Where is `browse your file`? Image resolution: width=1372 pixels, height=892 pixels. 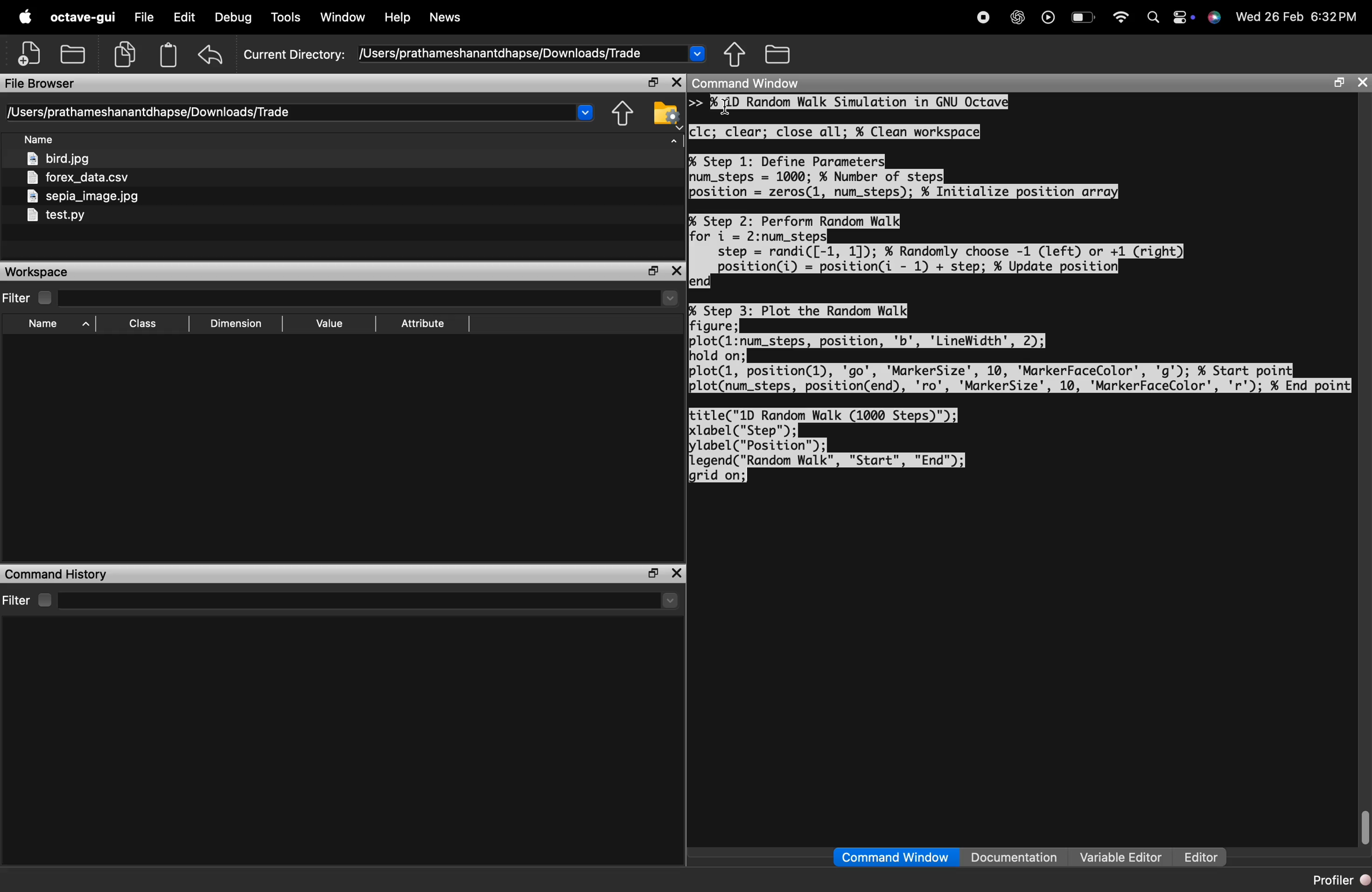 browse your file is located at coordinates (667, 114).